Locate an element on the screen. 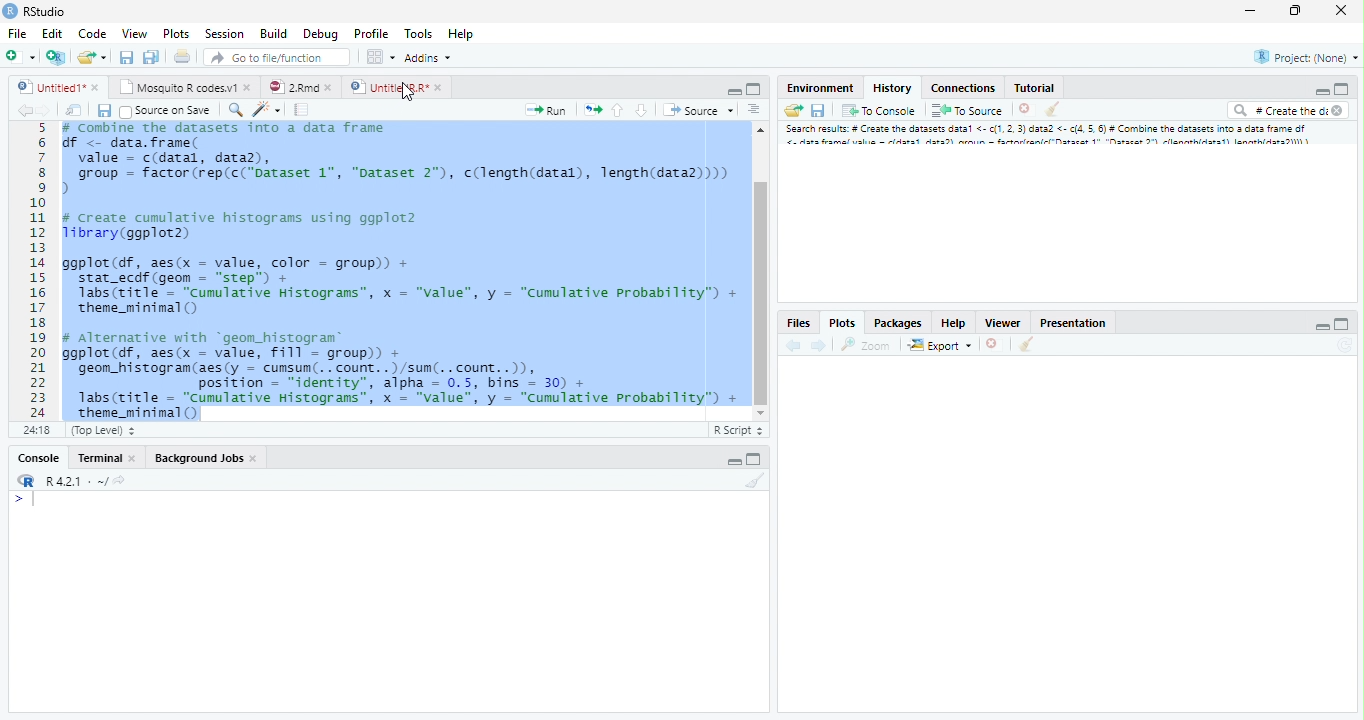 The width and height of the screenshot is (1364, 720). Console is located at coordinates (42, 457).